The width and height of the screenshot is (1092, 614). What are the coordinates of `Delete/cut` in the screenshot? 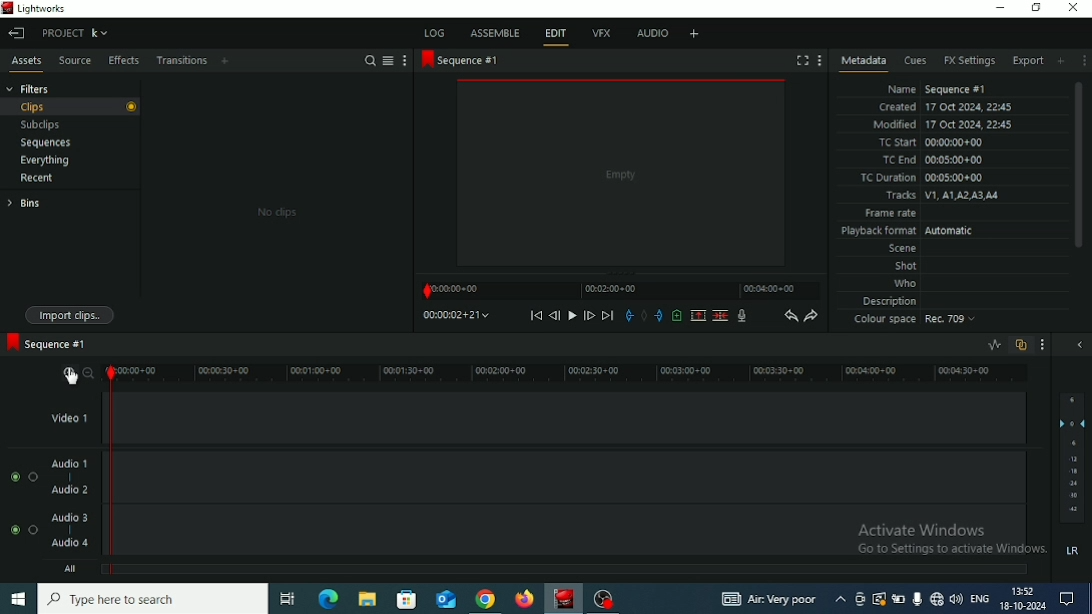 It's located at (721, 316).